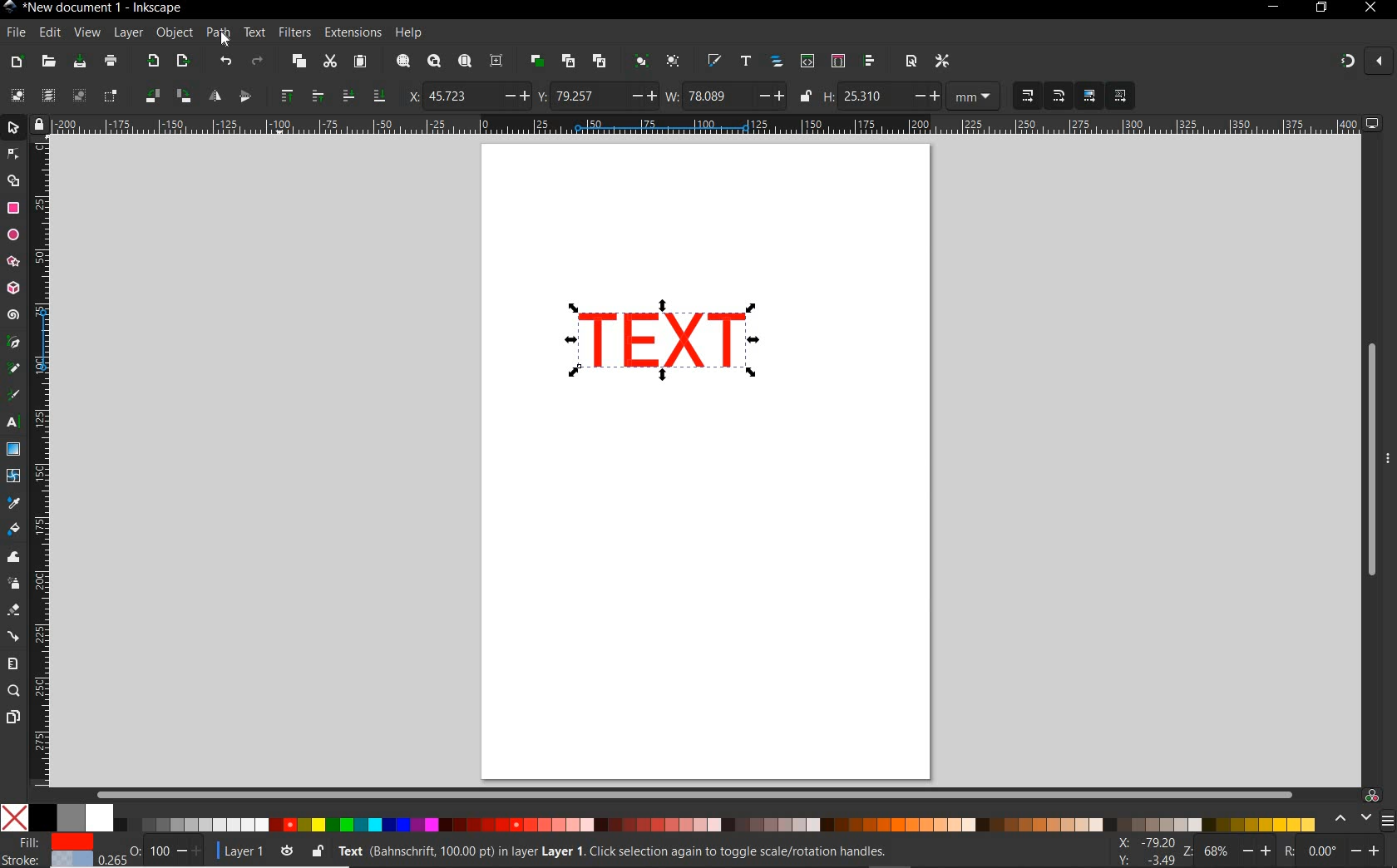 The height and width of the screenshot is (868, 1397). What do you see at coordinates (111, 96) in the screenshot?
I see `TOGGLE SELECTIONBOX` at bounding box center [111, 96].